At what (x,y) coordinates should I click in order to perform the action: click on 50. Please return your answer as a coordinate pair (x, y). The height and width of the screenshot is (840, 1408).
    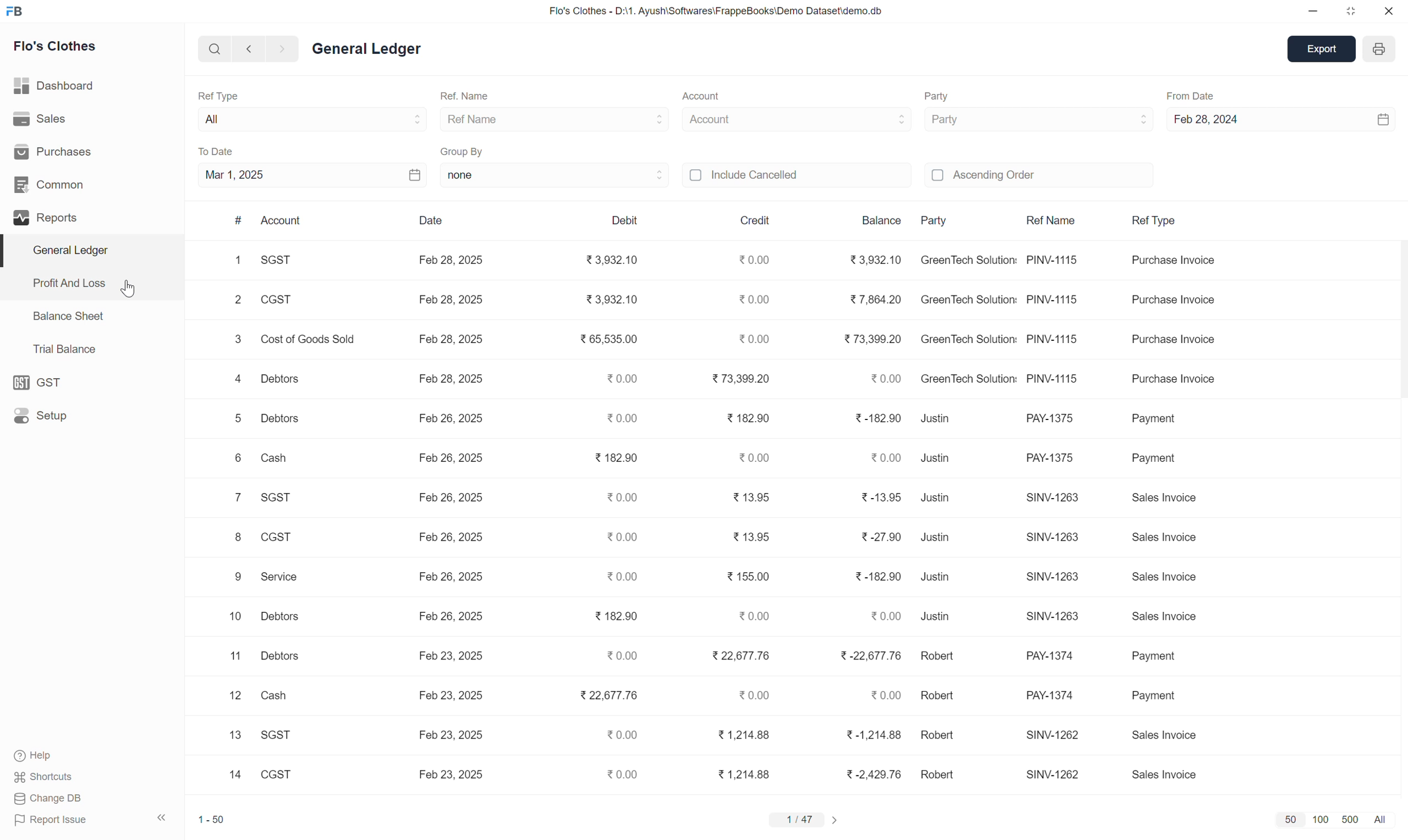
    Looking at the image, I should click on (1286, 818).